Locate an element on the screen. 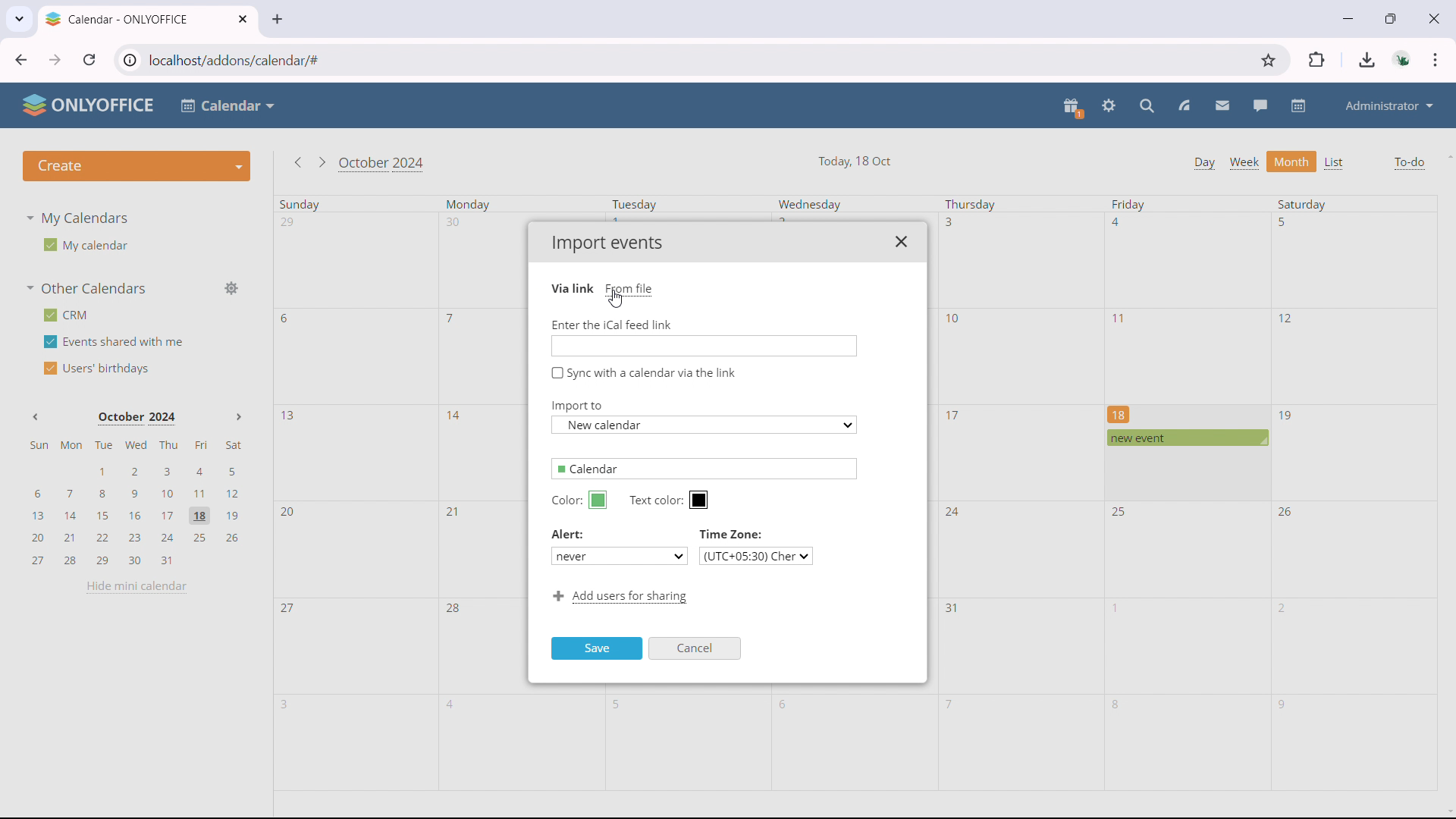 The width and height of the screenshot is (1456, 819). 7 is located at coordinates (950, 703).